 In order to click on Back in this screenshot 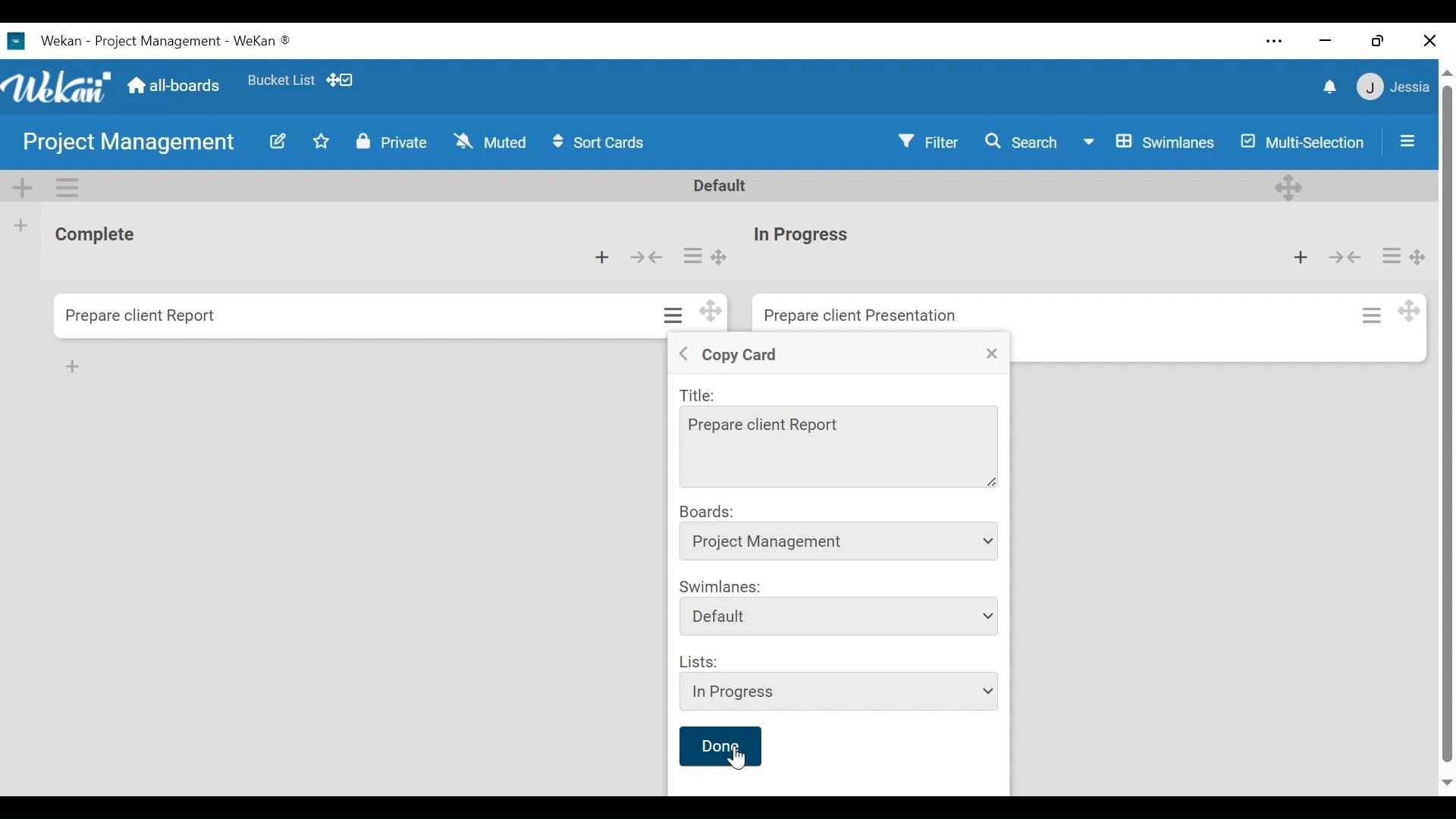, I will do `click(682, 353)`.